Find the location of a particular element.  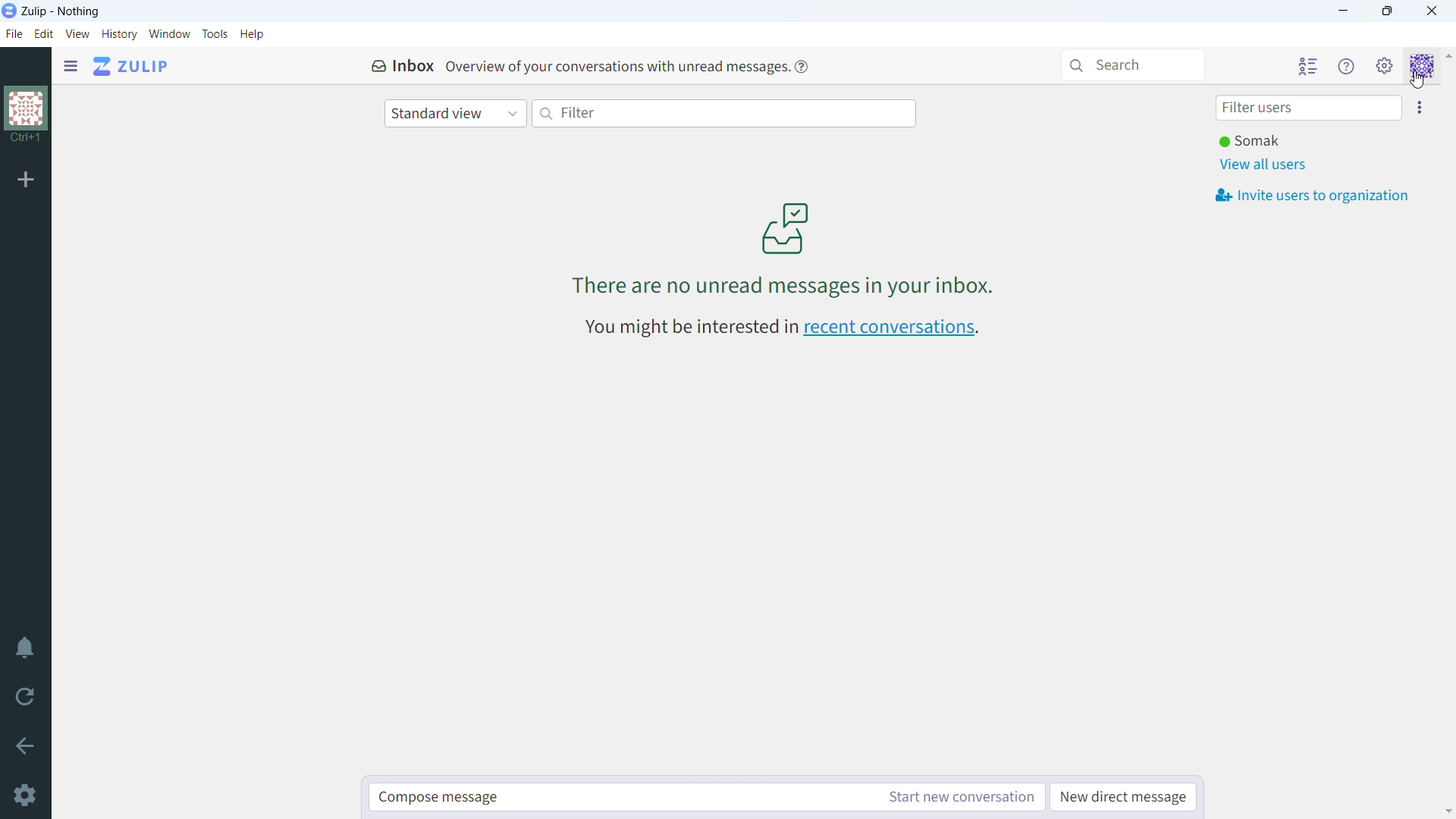

new direct message is located at coordinates (1123, 798).